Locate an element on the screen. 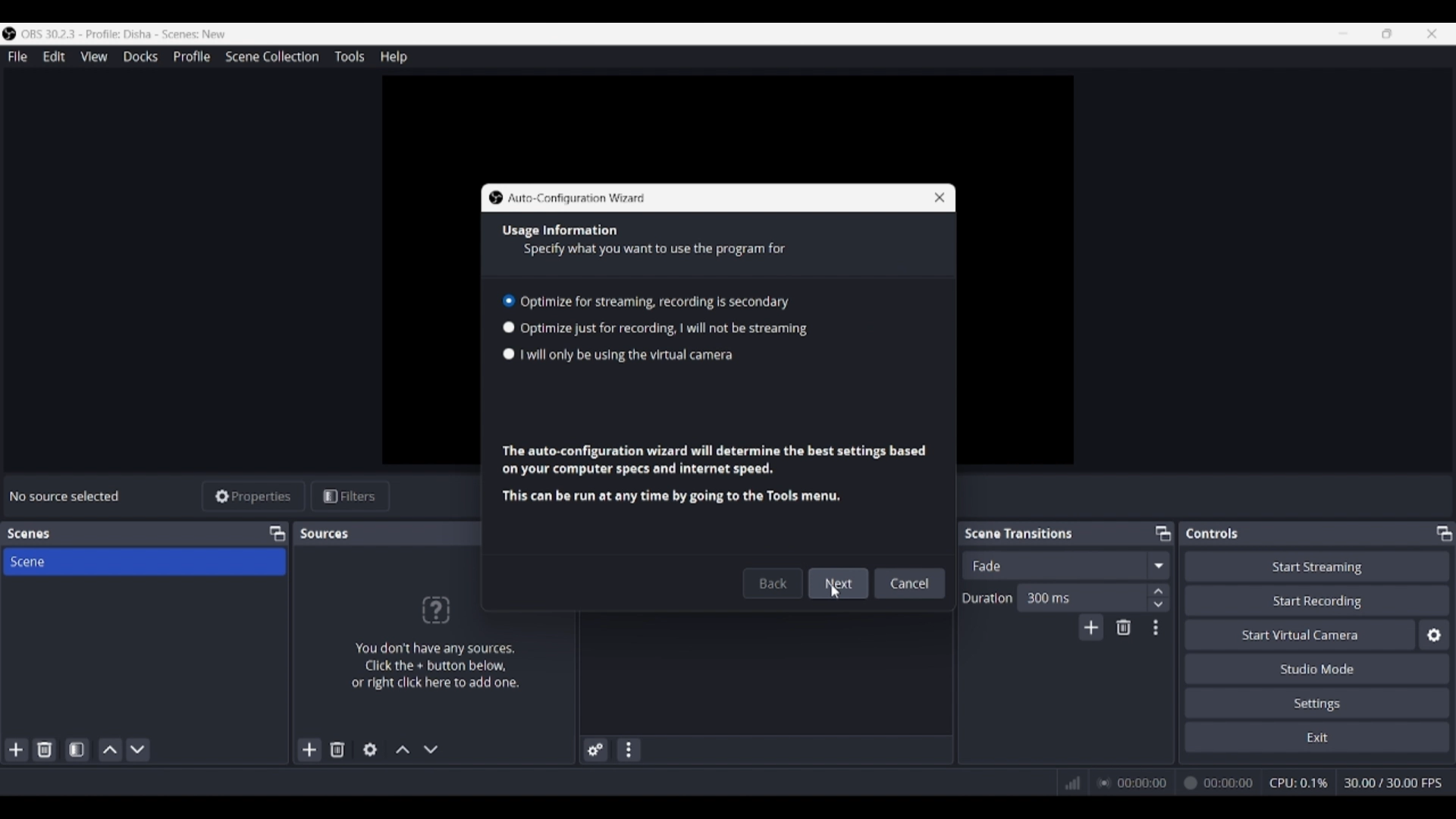 This screenshot has width=1456, height=819. Scene collection menu is located at coordinates (271, 56).